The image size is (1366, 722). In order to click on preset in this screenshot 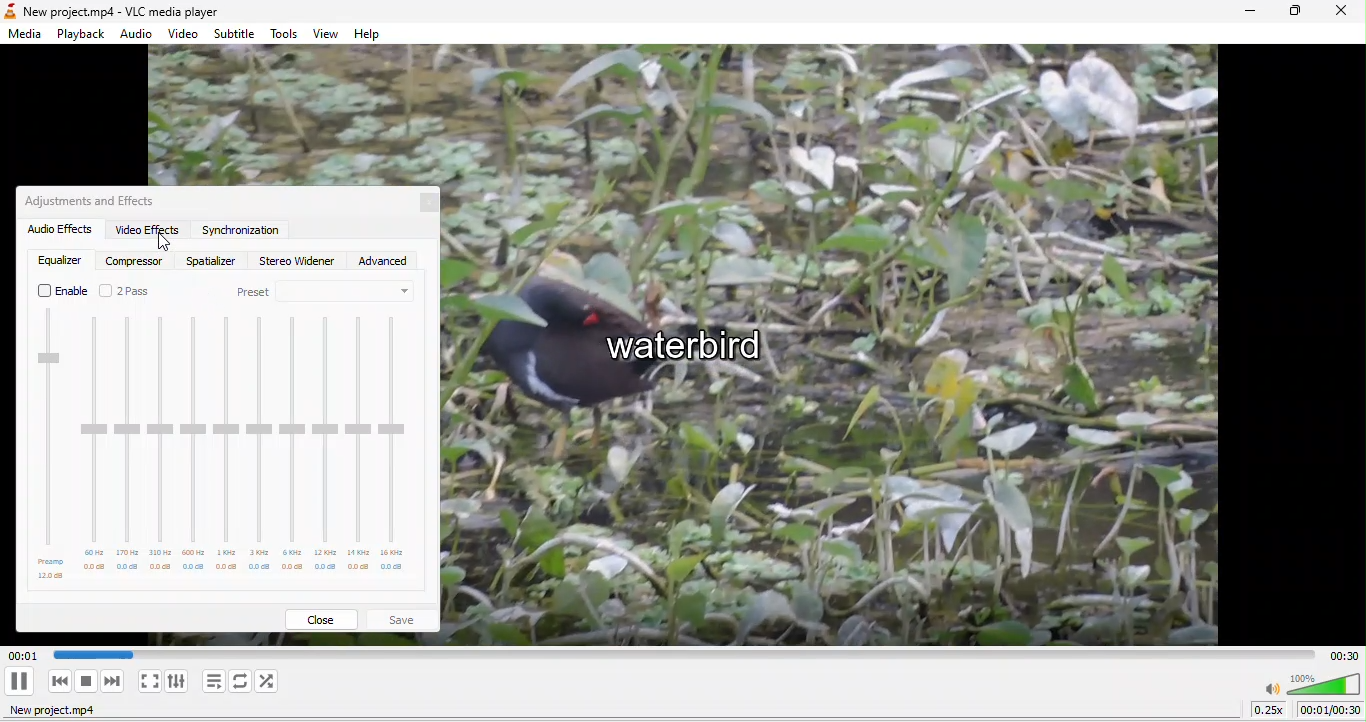, I will do `click(329, 293)`.